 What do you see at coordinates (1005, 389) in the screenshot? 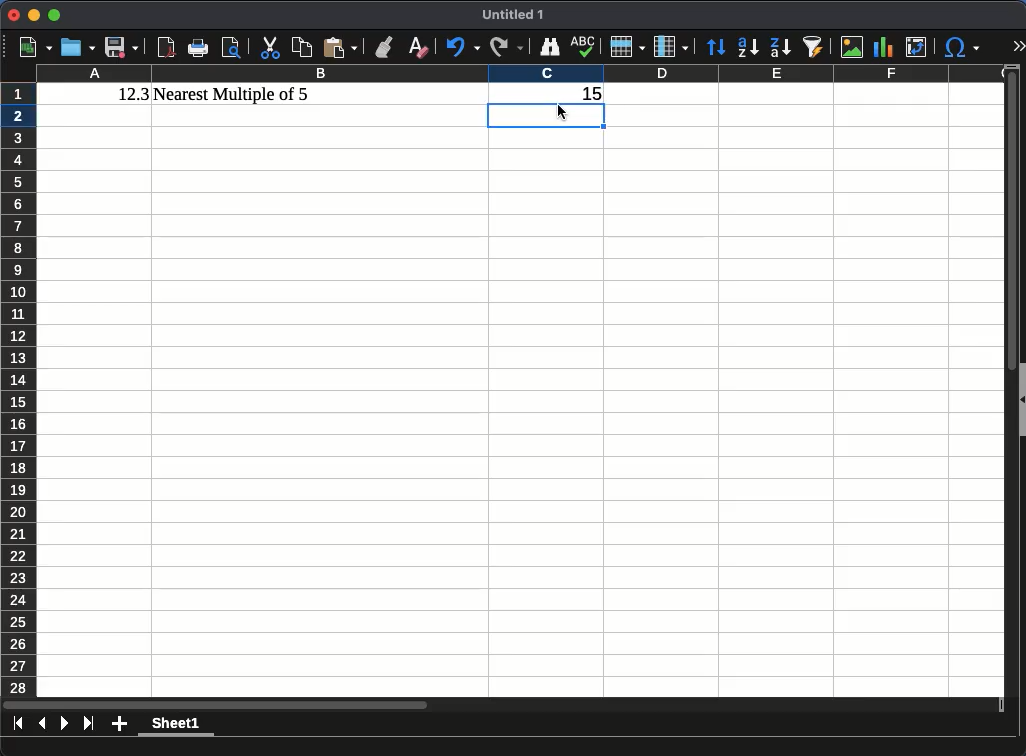
I see `scroll` at bounding box center [1005, 389].